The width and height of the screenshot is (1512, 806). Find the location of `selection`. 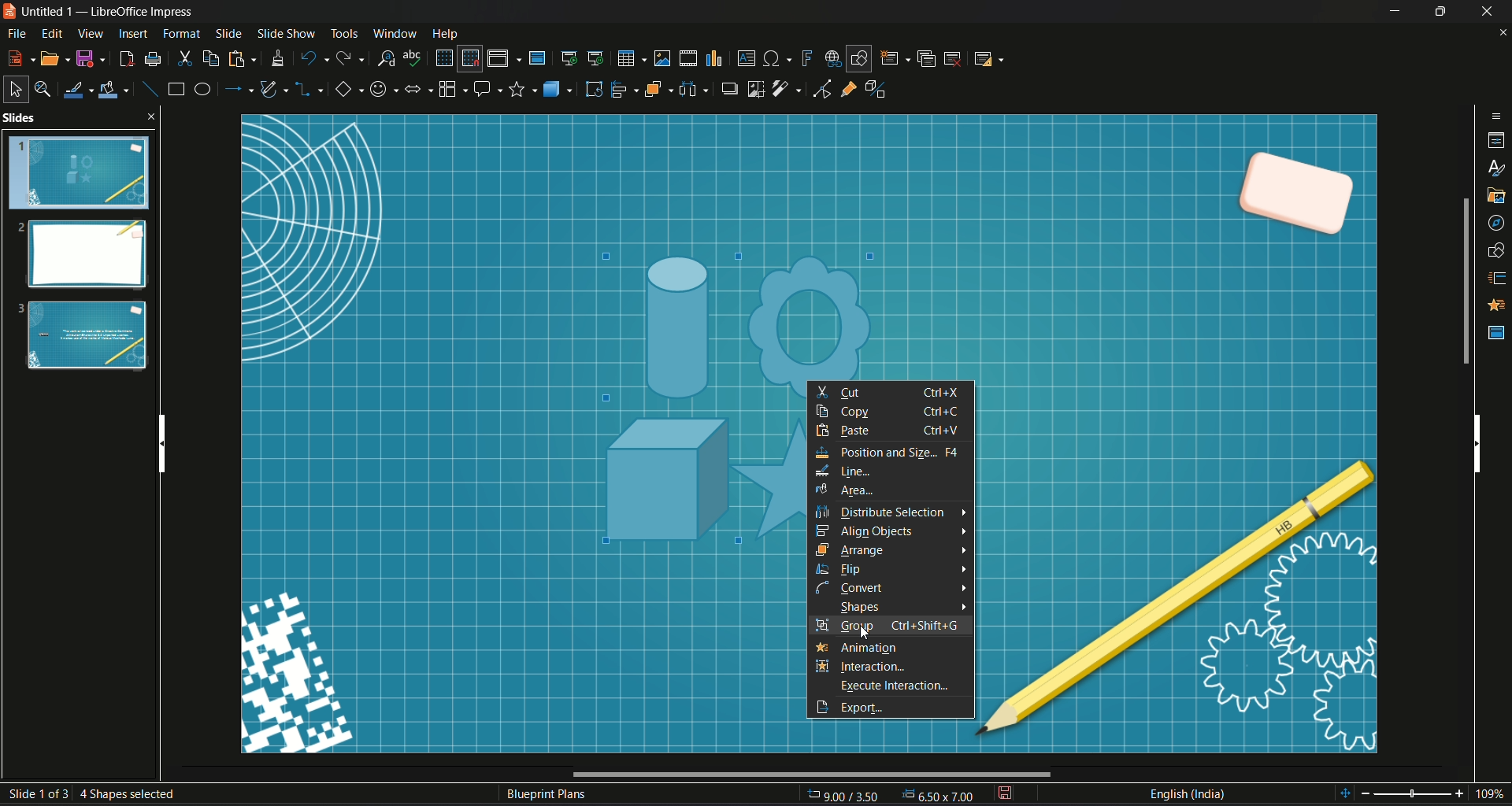

selection is located at coordinates (903, 627).